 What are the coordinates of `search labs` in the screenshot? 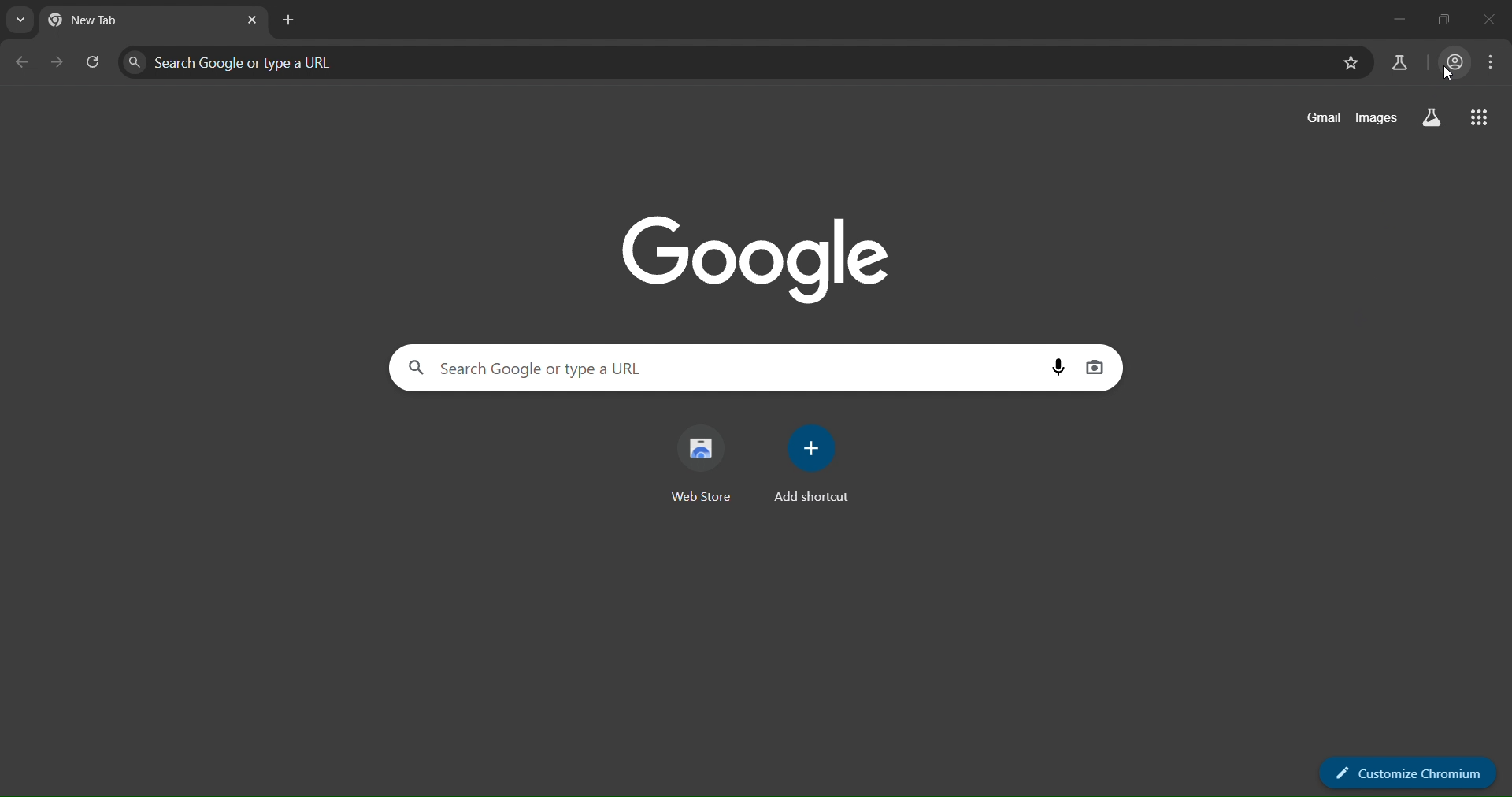 It's located at (1426, 117).